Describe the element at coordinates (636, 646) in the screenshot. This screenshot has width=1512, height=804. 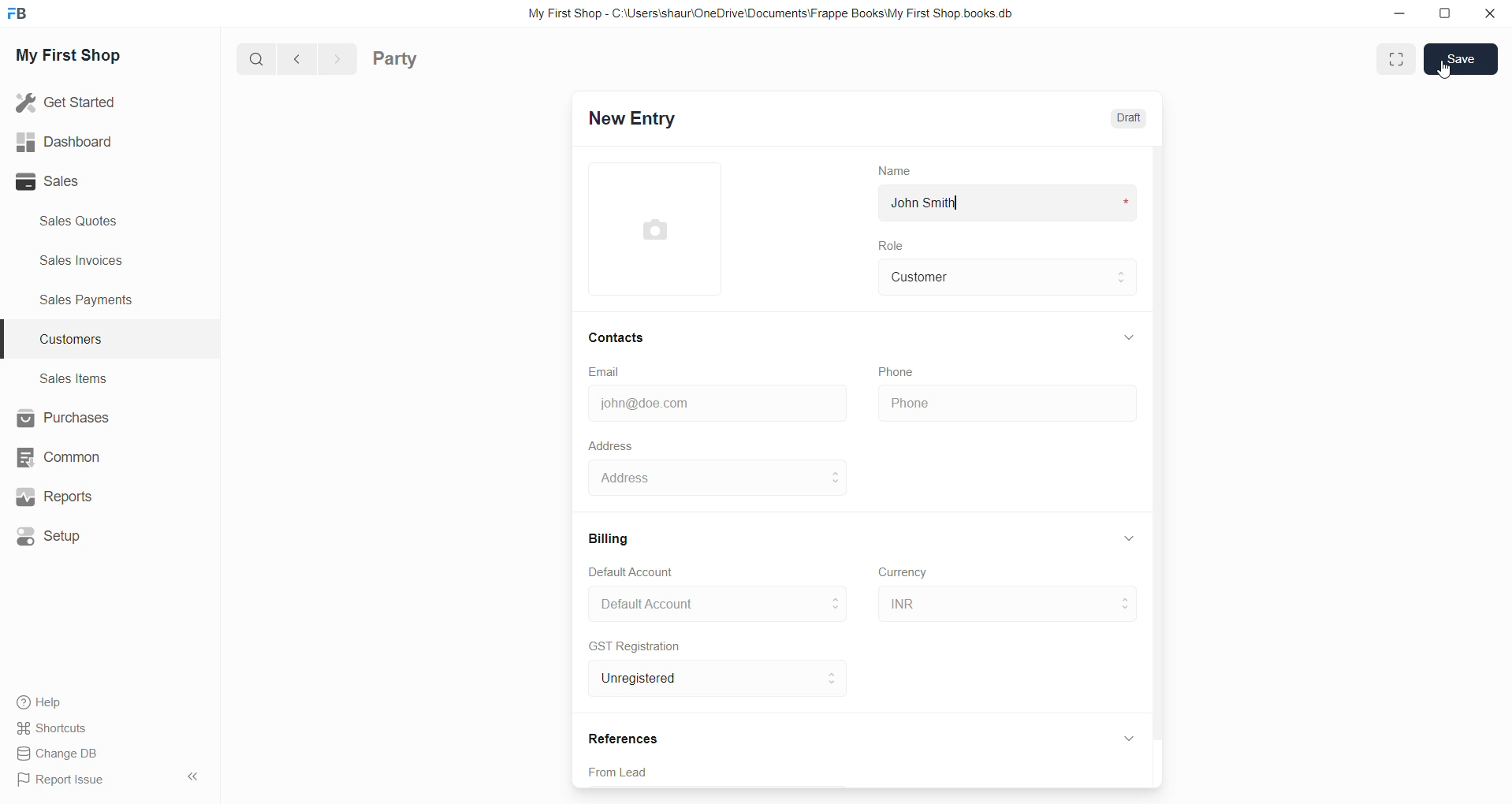
I see `GST Registration` at that location.